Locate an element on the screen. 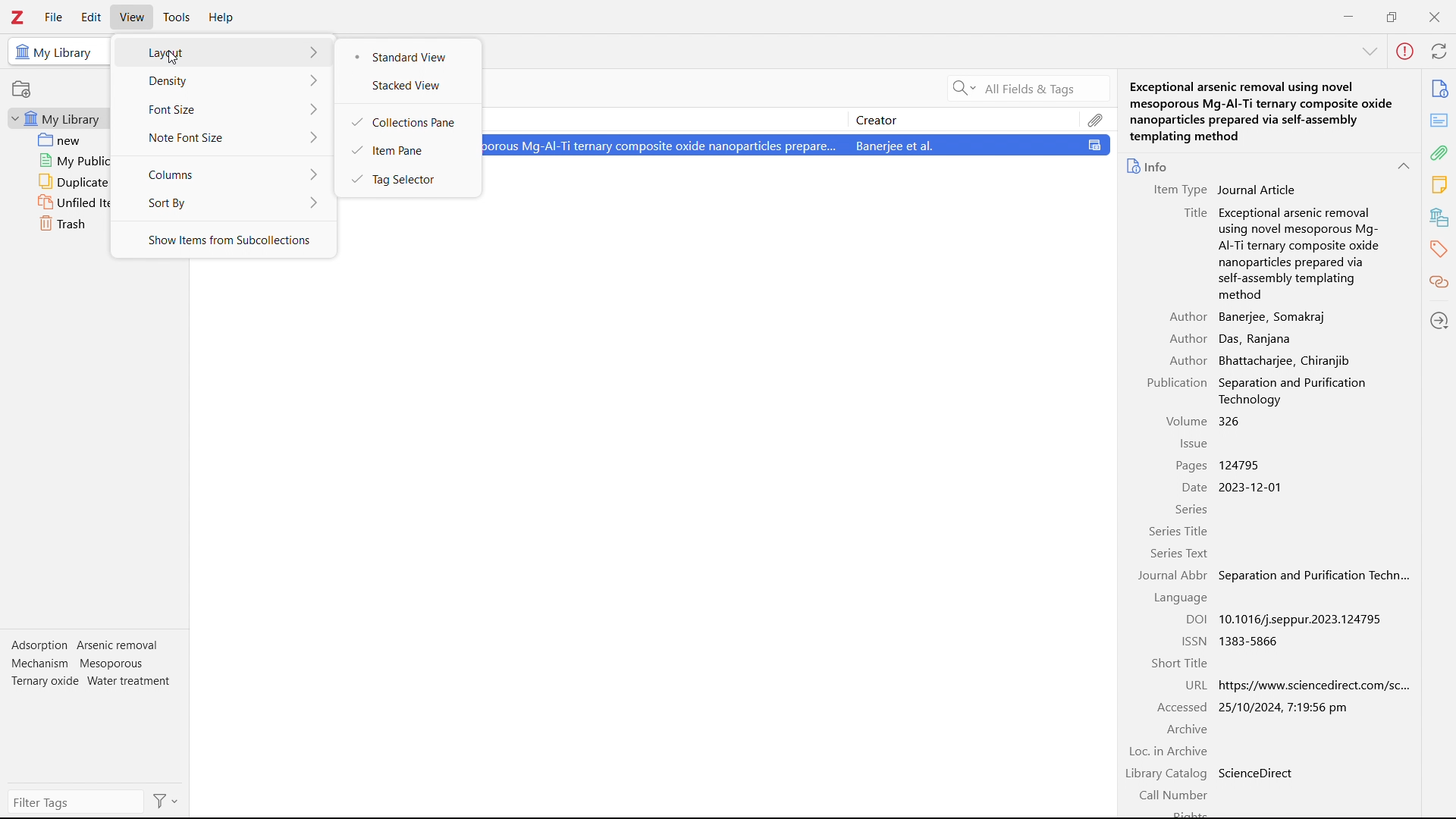 The height and width of the screenshot is (819, 1456). new collection is located at coordinates (21, 89).